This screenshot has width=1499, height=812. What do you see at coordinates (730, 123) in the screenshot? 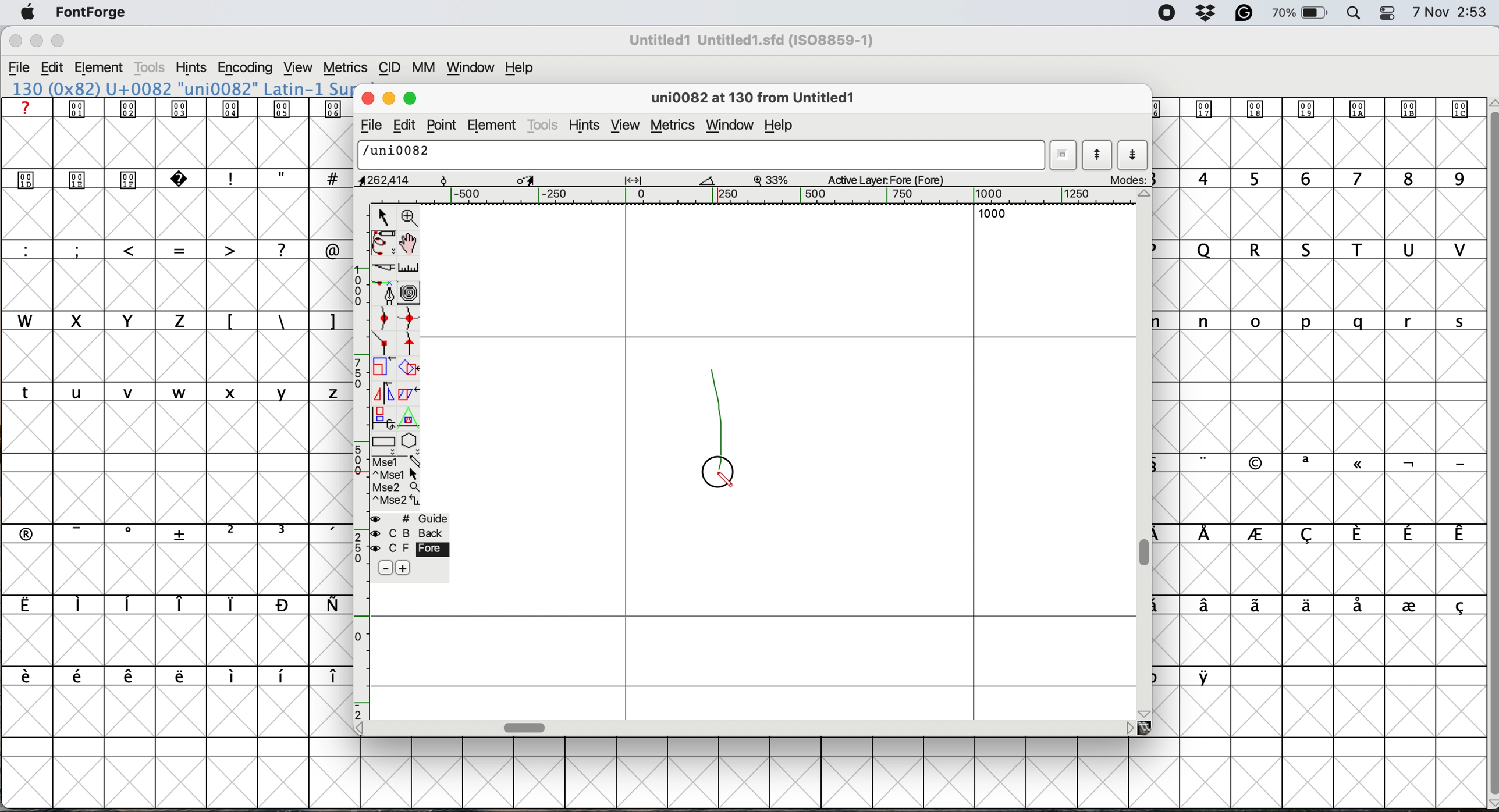
I see `window` at bounding box center [730, 123].